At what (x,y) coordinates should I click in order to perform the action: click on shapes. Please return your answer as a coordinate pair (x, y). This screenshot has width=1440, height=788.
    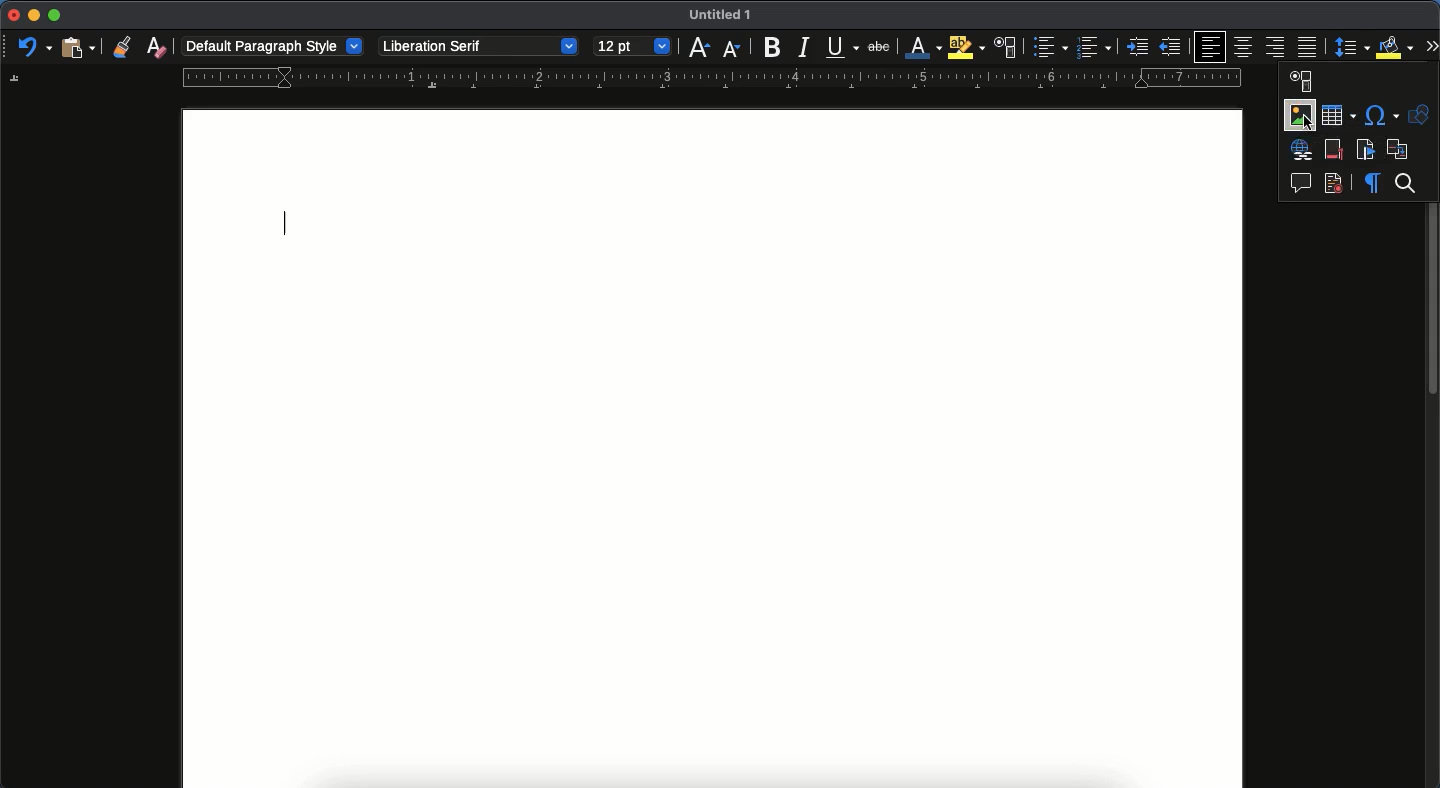
    Looking at the image, I should click on (1419, 113).